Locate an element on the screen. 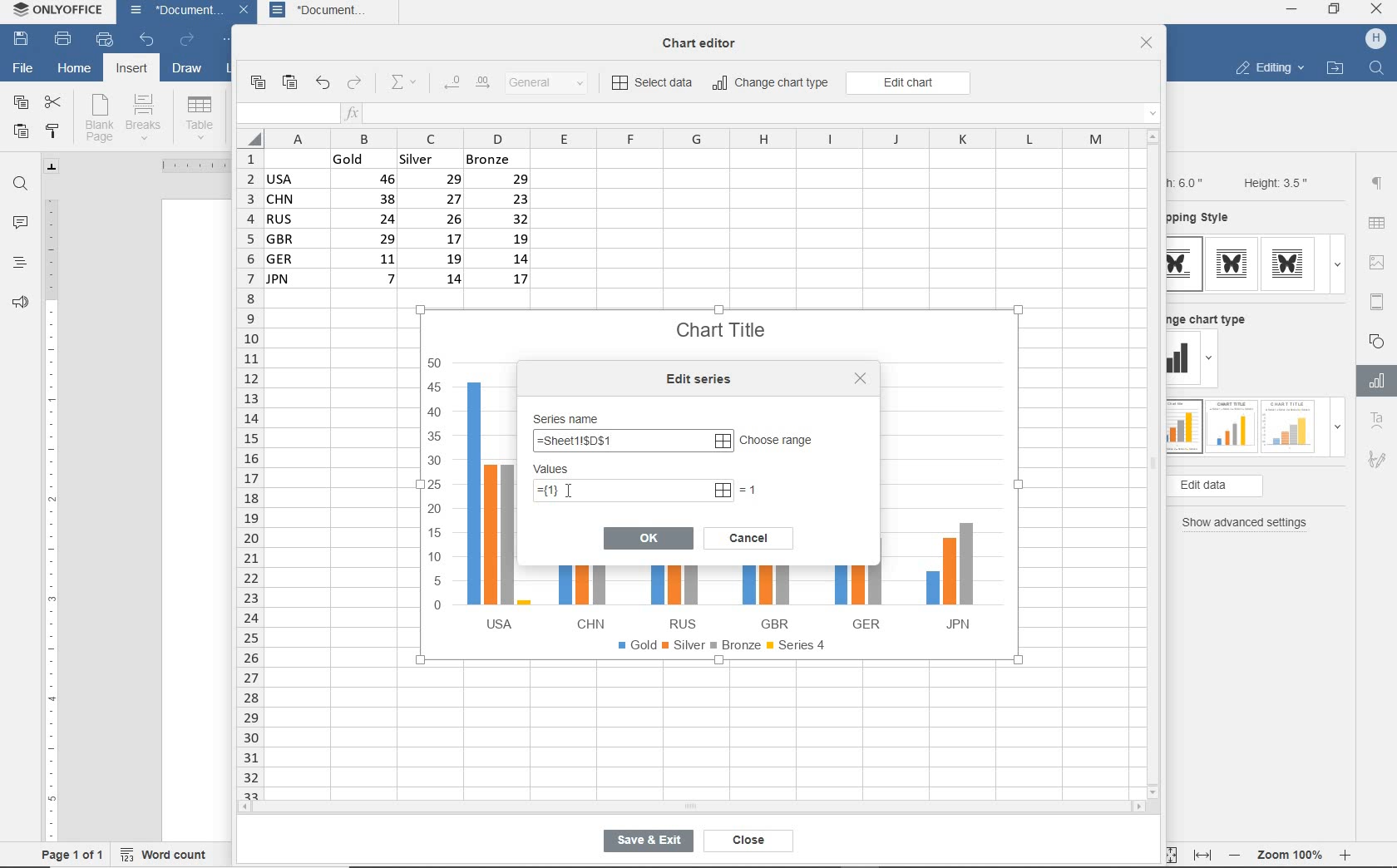 The height and width of the screenshot is (868, 1397). cursor is located at coordinates (566, 489).